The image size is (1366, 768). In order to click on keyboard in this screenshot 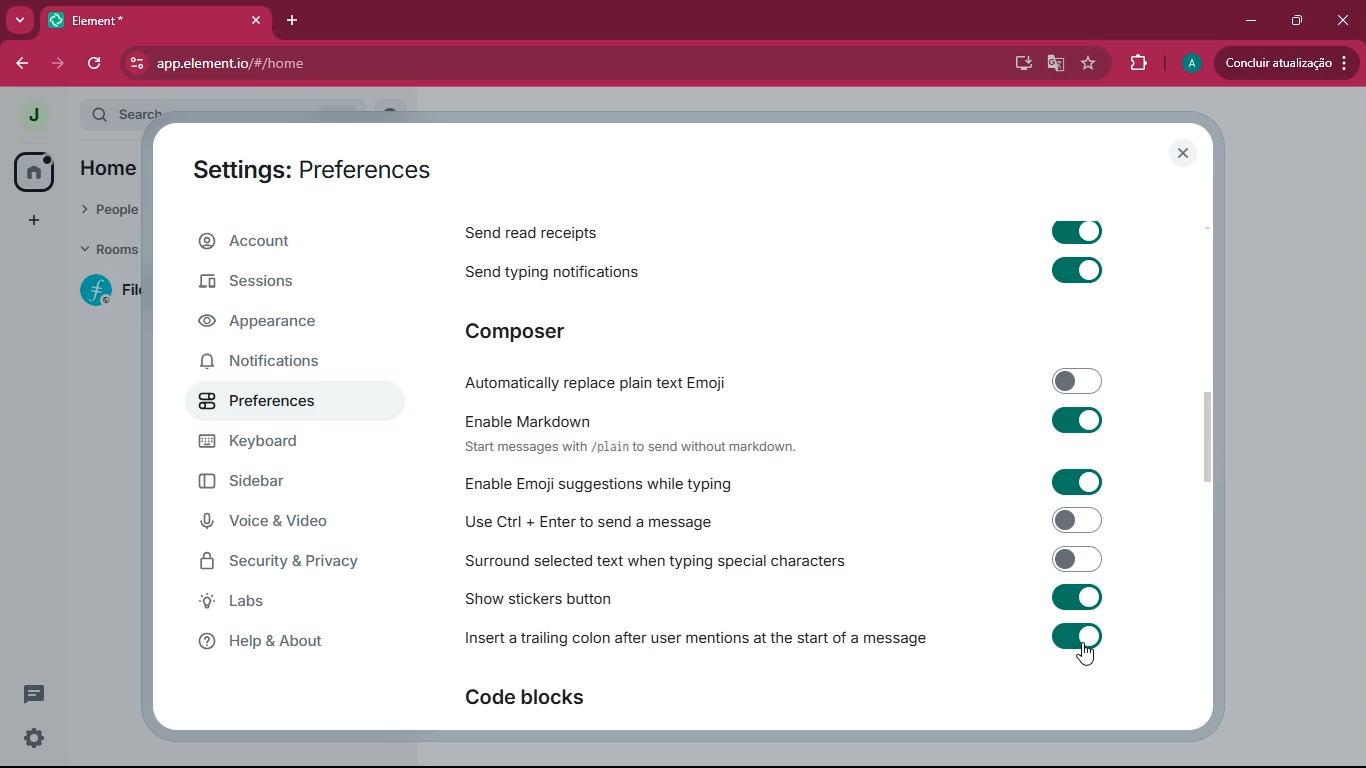, I will do `click(284, 442)`.